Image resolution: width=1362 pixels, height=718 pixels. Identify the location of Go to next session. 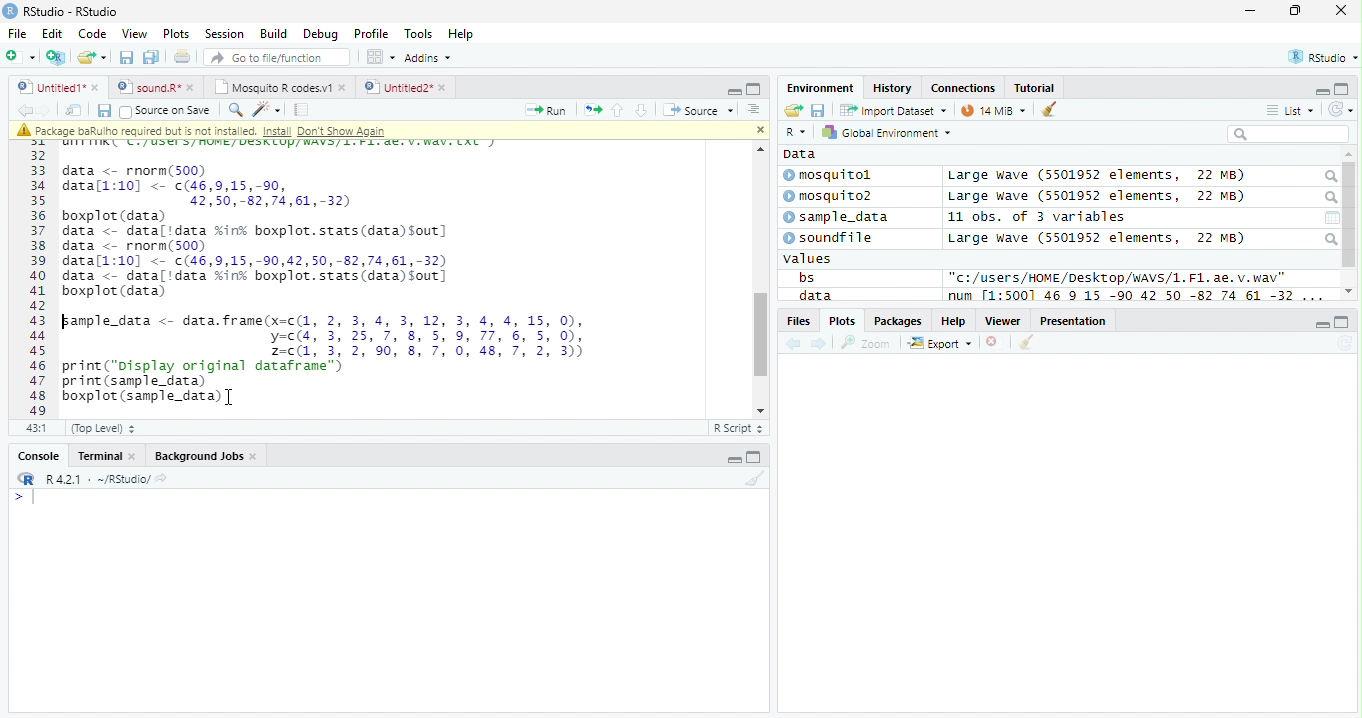
(642, 111).